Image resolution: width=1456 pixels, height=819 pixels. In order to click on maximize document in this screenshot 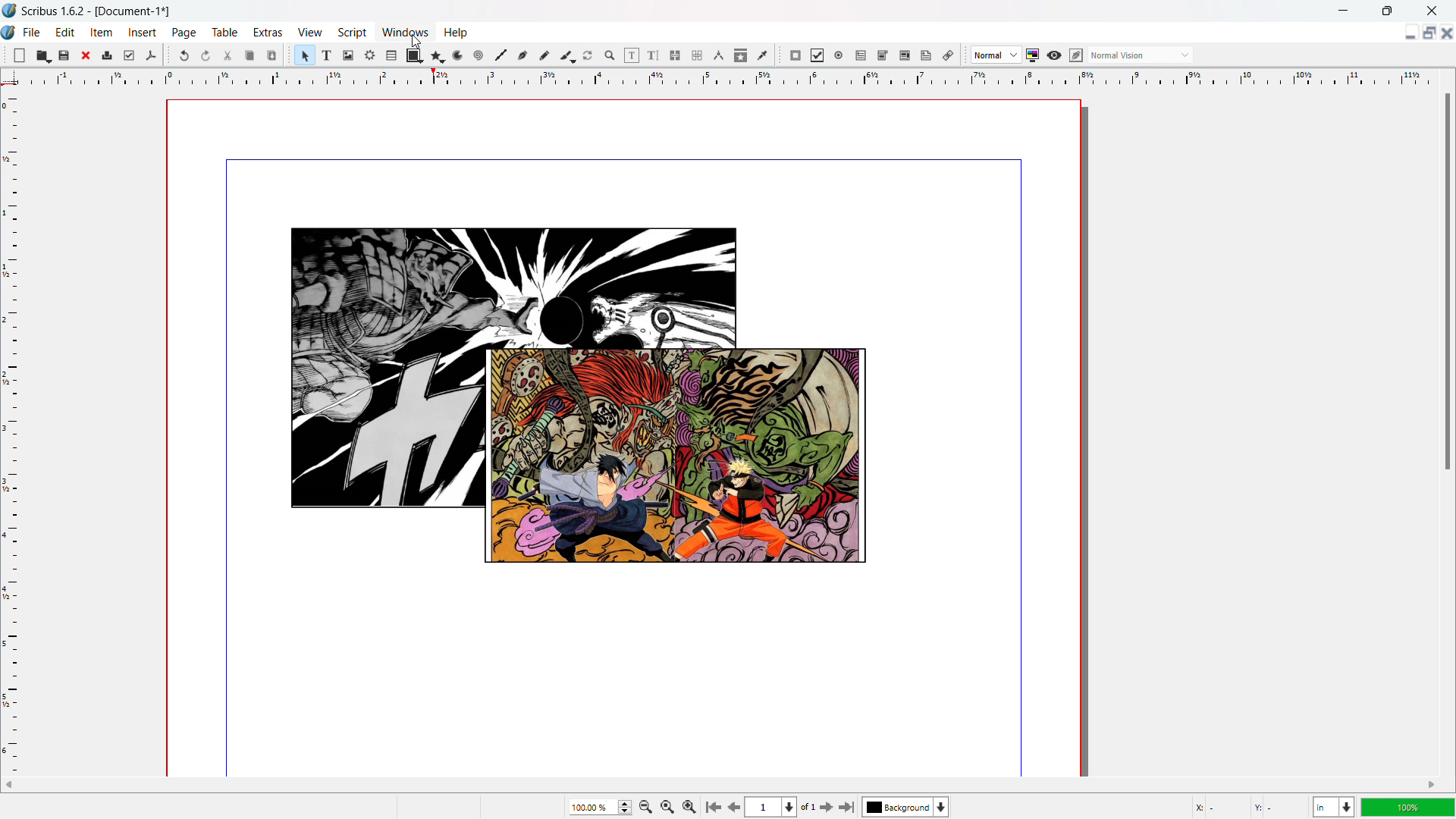, I will do `click(1427, 32)`.